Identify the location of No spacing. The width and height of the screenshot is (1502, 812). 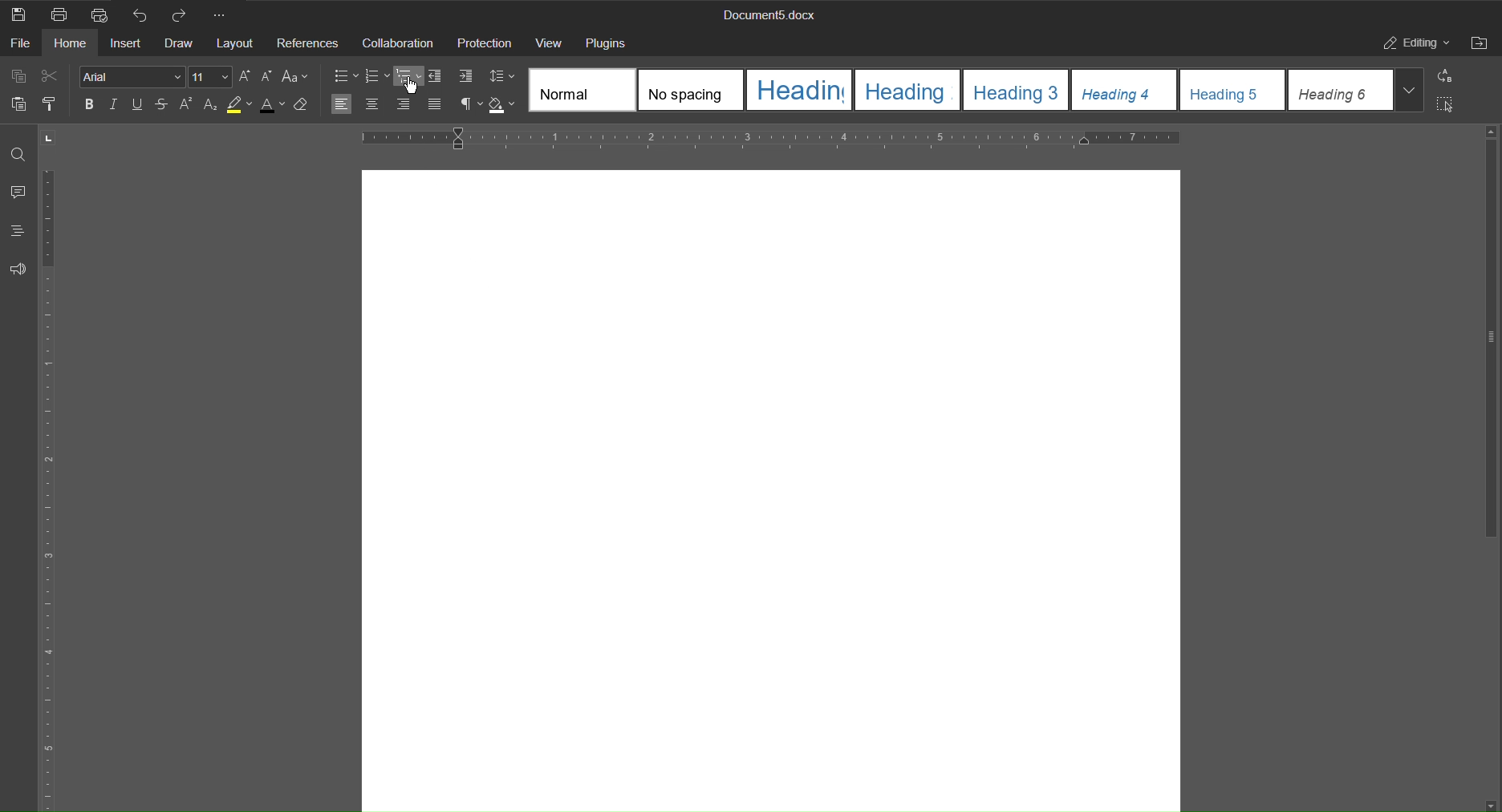
(692, 91).